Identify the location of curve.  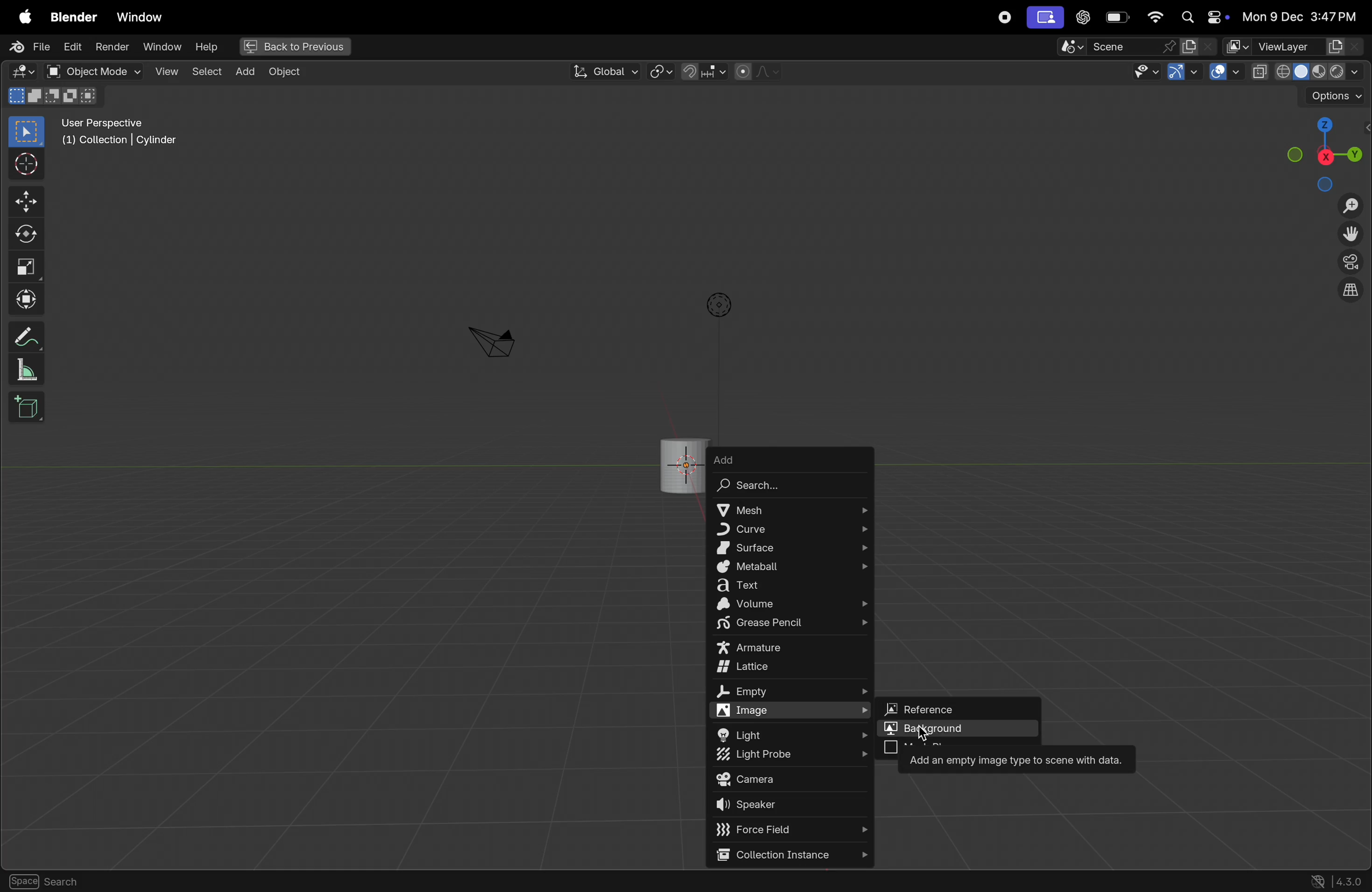
(789, 528).